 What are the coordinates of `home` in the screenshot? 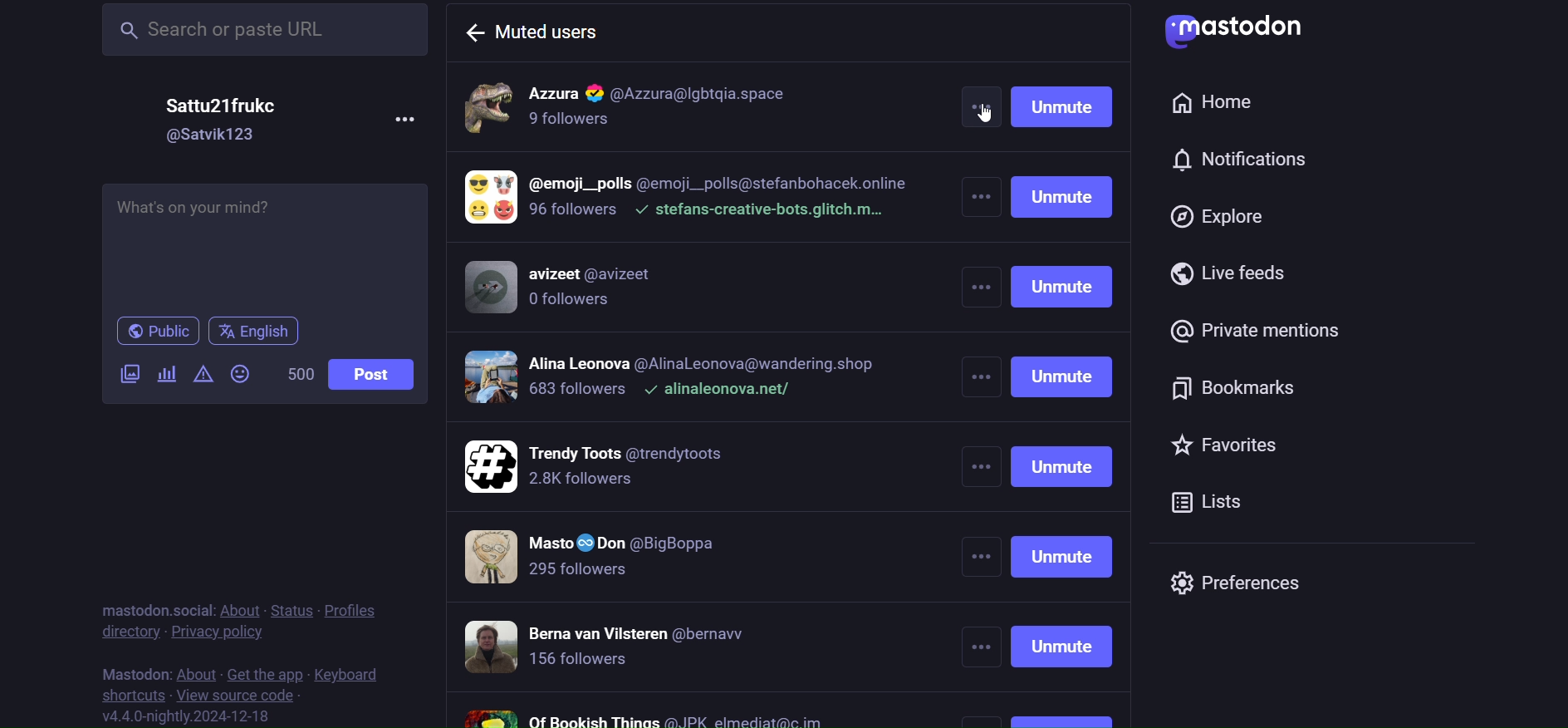 It's located at (1224, 102).